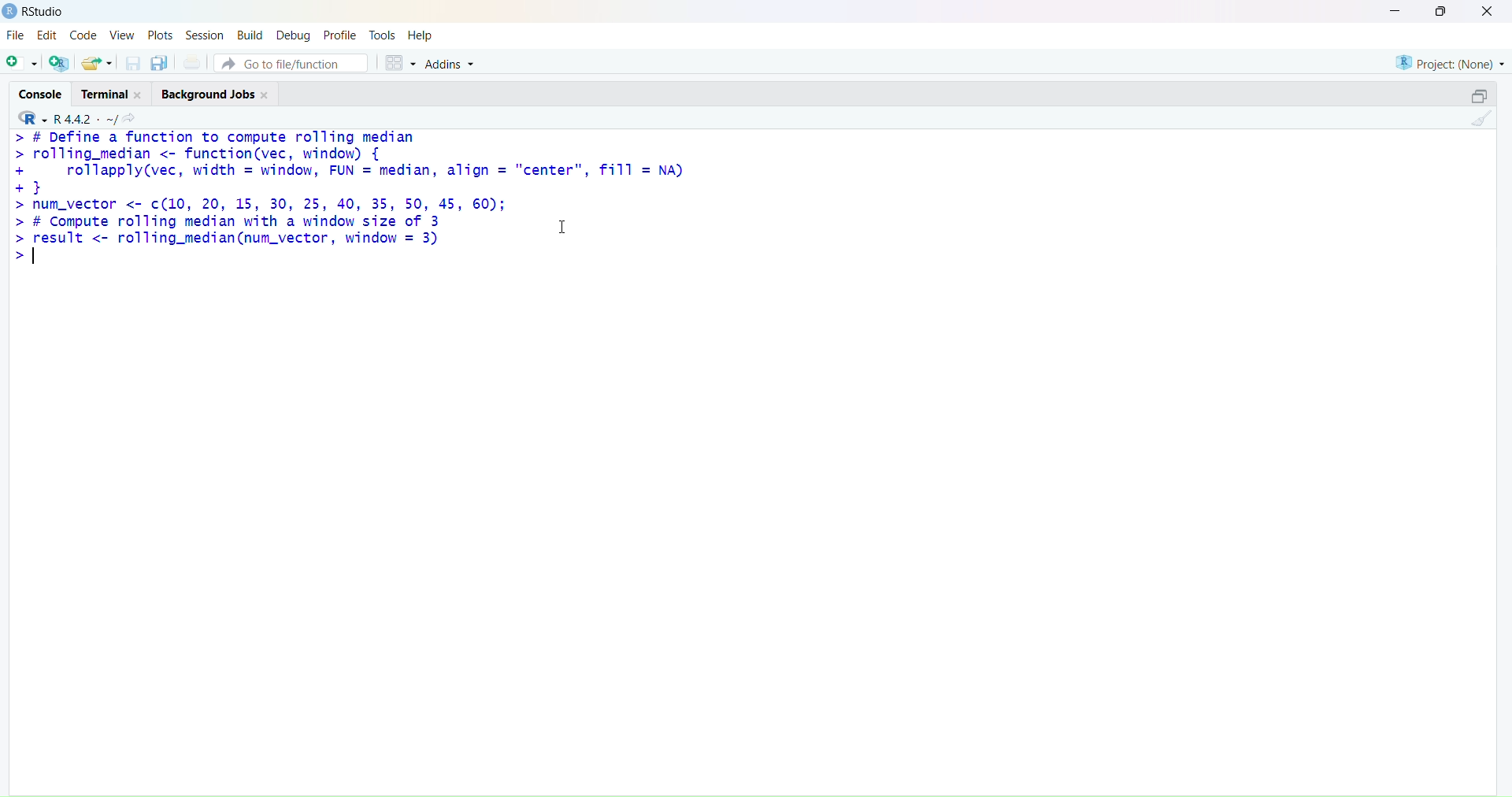 The height and width of the screenshot is (797, 1512). What do you see at coordinates (33, 117) in the screenshot?
I see `R` at bounding box center [33, 117].